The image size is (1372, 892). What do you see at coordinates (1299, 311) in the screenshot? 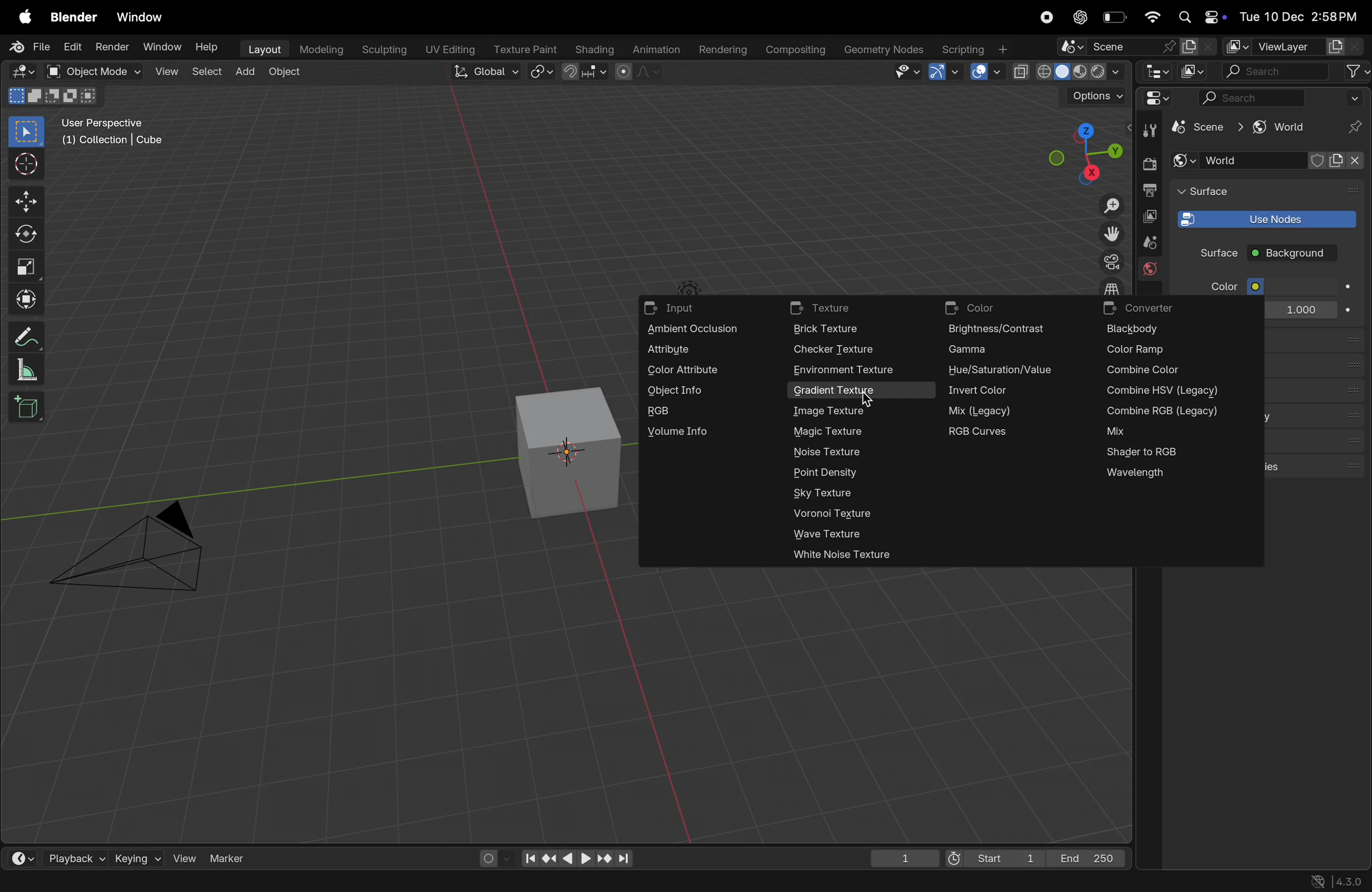
I see `1000` at bounding box center [1299, 311].